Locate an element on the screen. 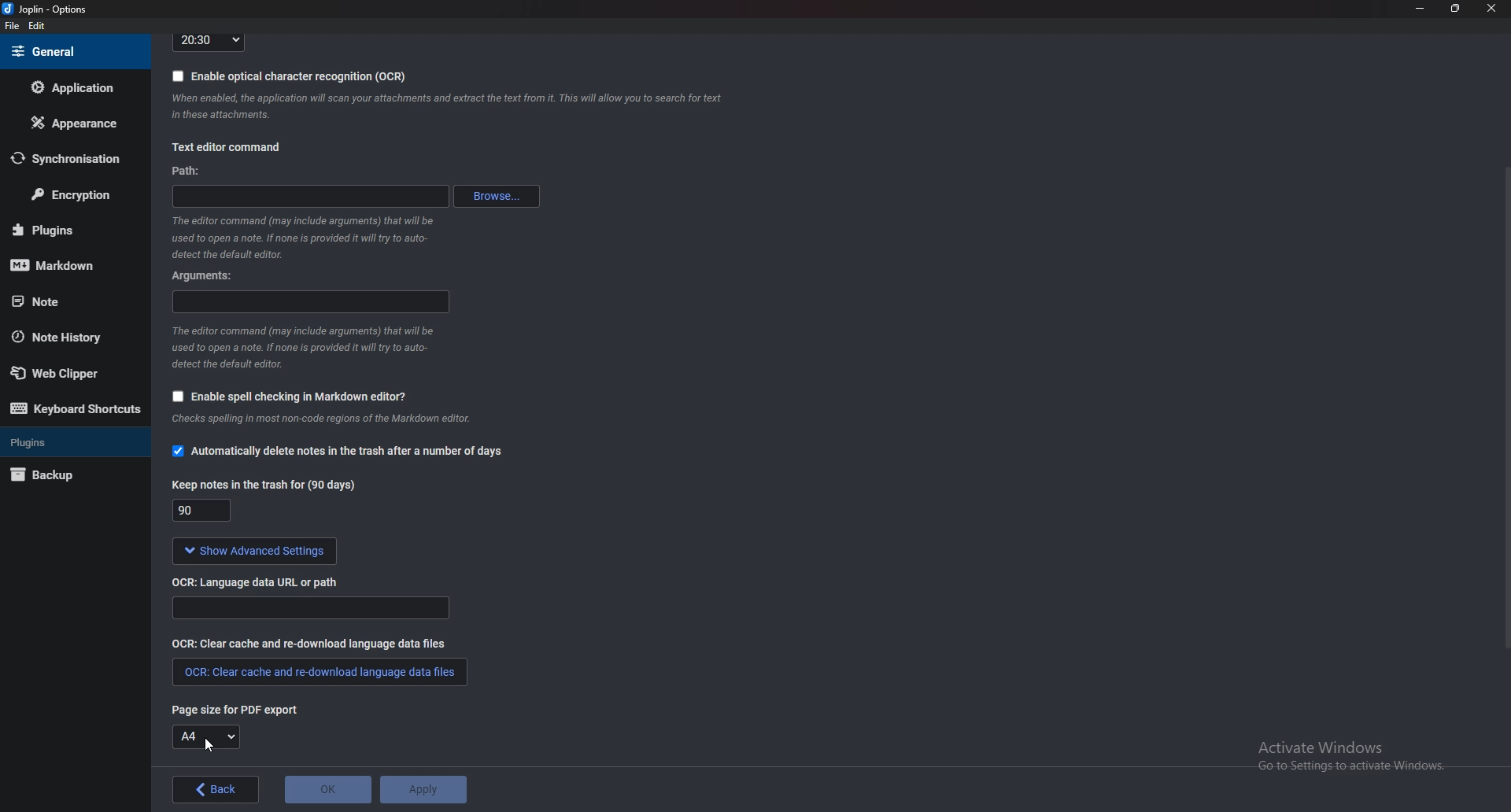 The image size is (1511, 812). ok is located at coordinates (328, 790).